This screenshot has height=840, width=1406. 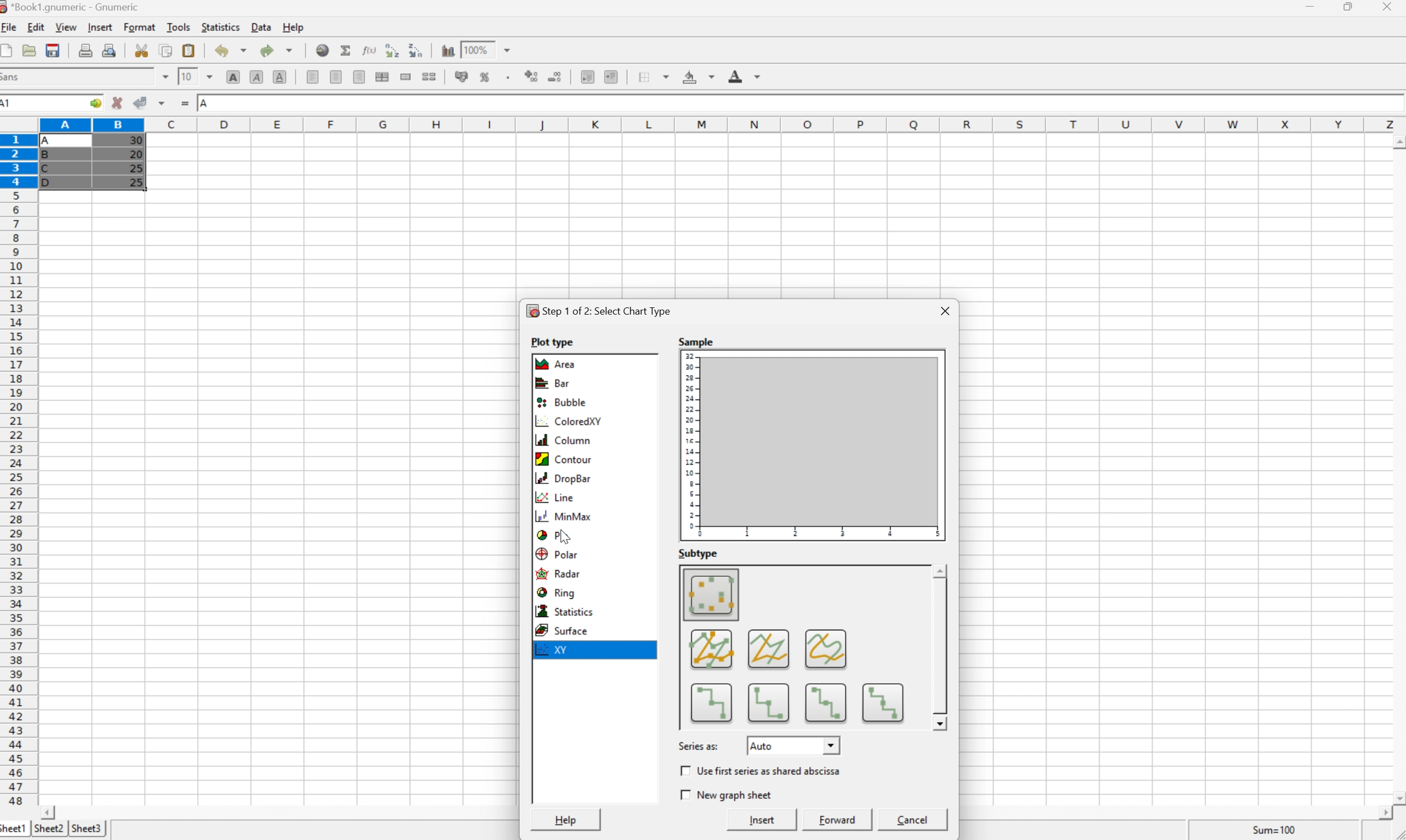 What do you see at coordinates (563, 611) in the screenshot?
I see `Statistics` at bounding box center [563, 611].